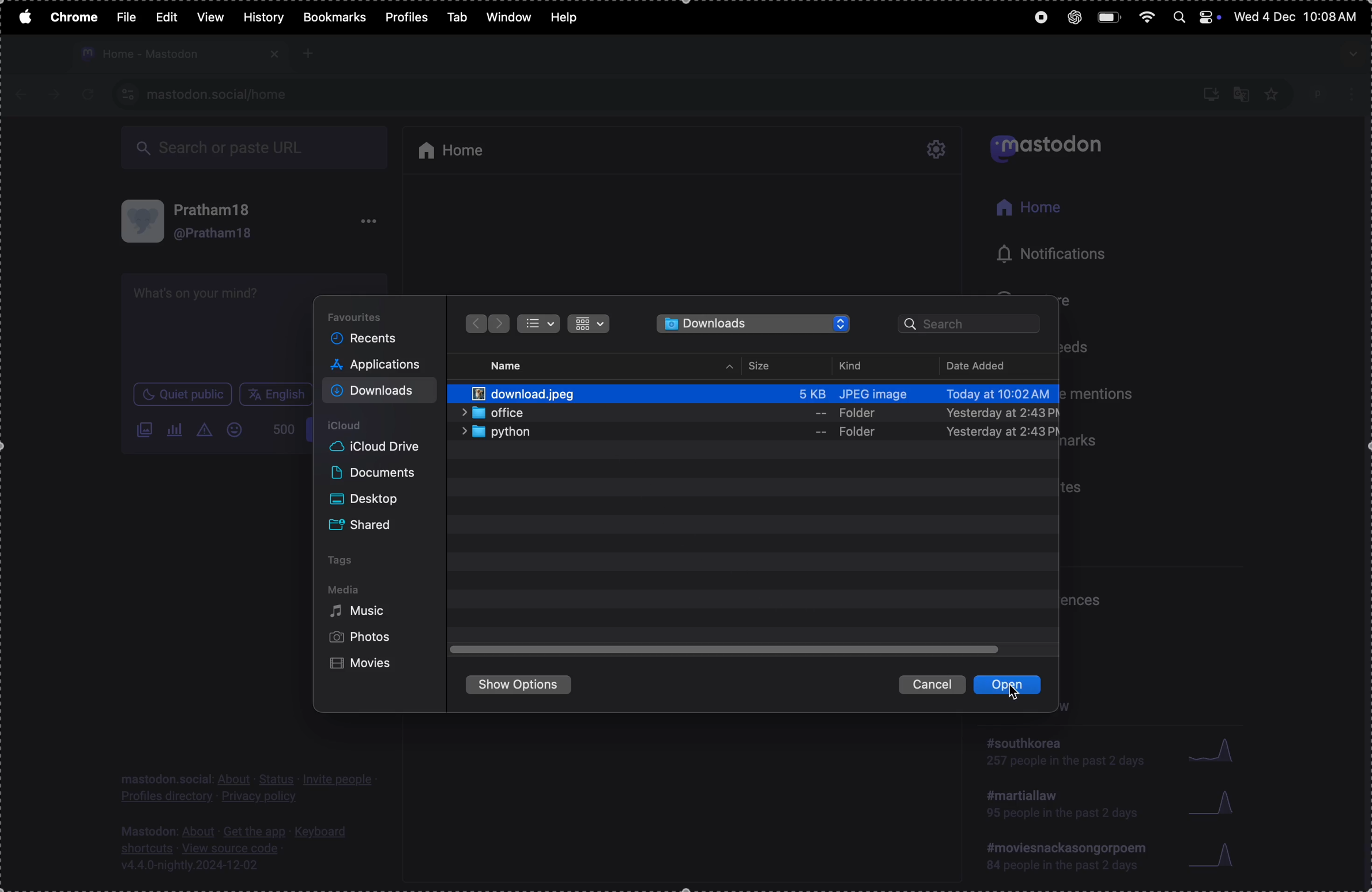 This screenshot has height=892, width=1372. Describe the element at coordinates (22, 16) in the screenshot. I see `apple menu` at that location.